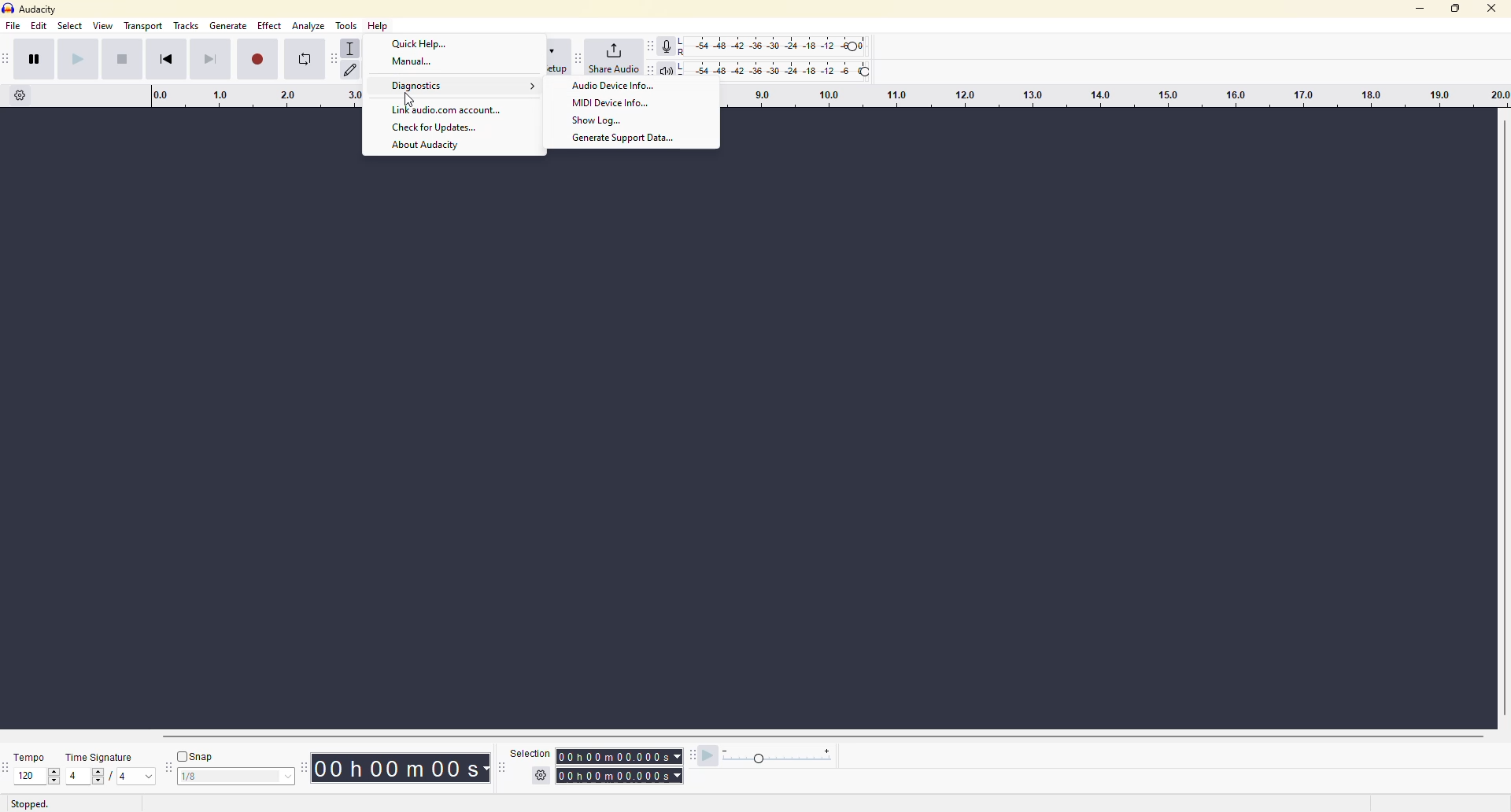  I want to click on stopped, so click(33, 804).